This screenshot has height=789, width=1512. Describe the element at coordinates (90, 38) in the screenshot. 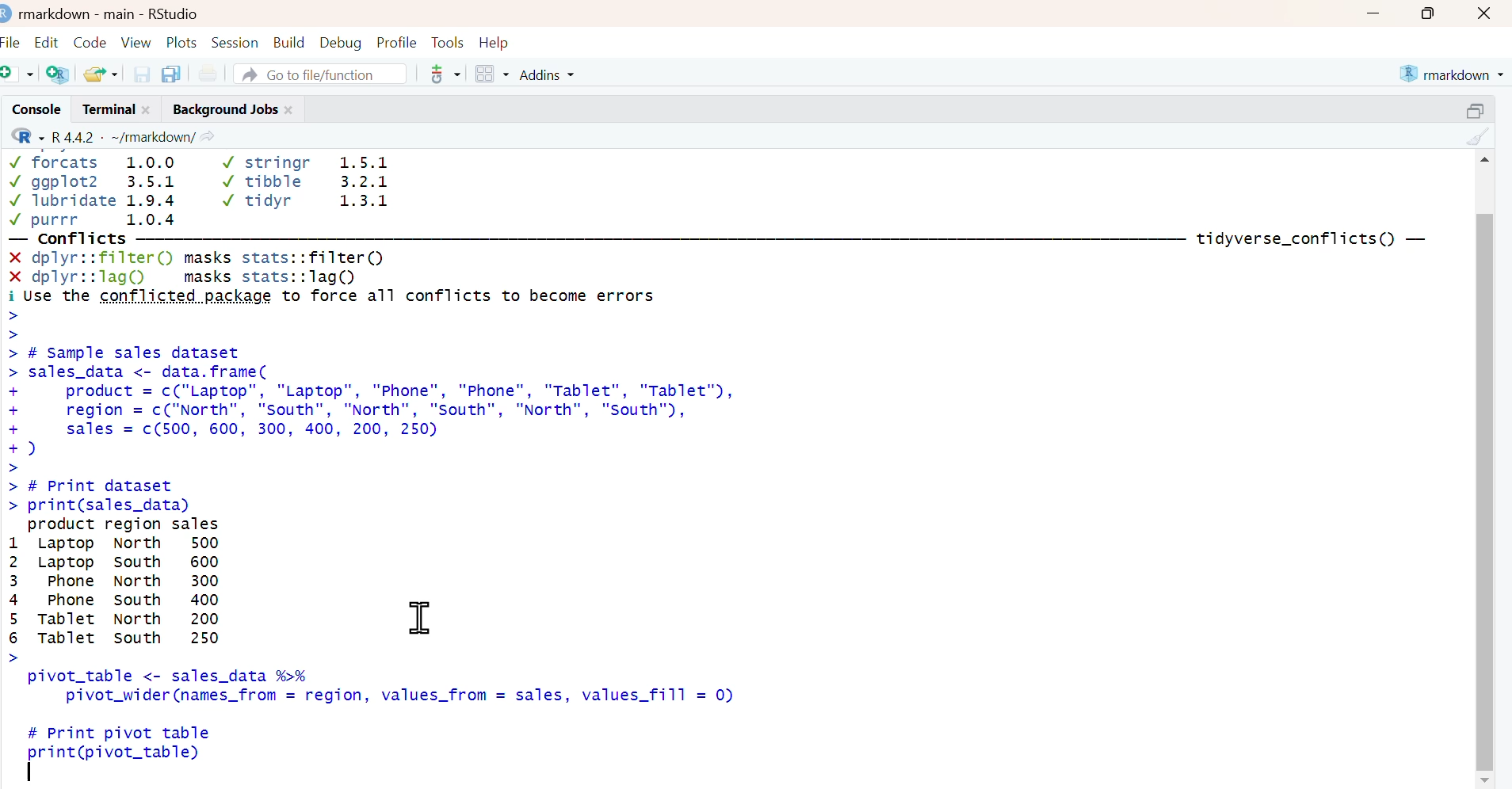

I see `Code` at that location.